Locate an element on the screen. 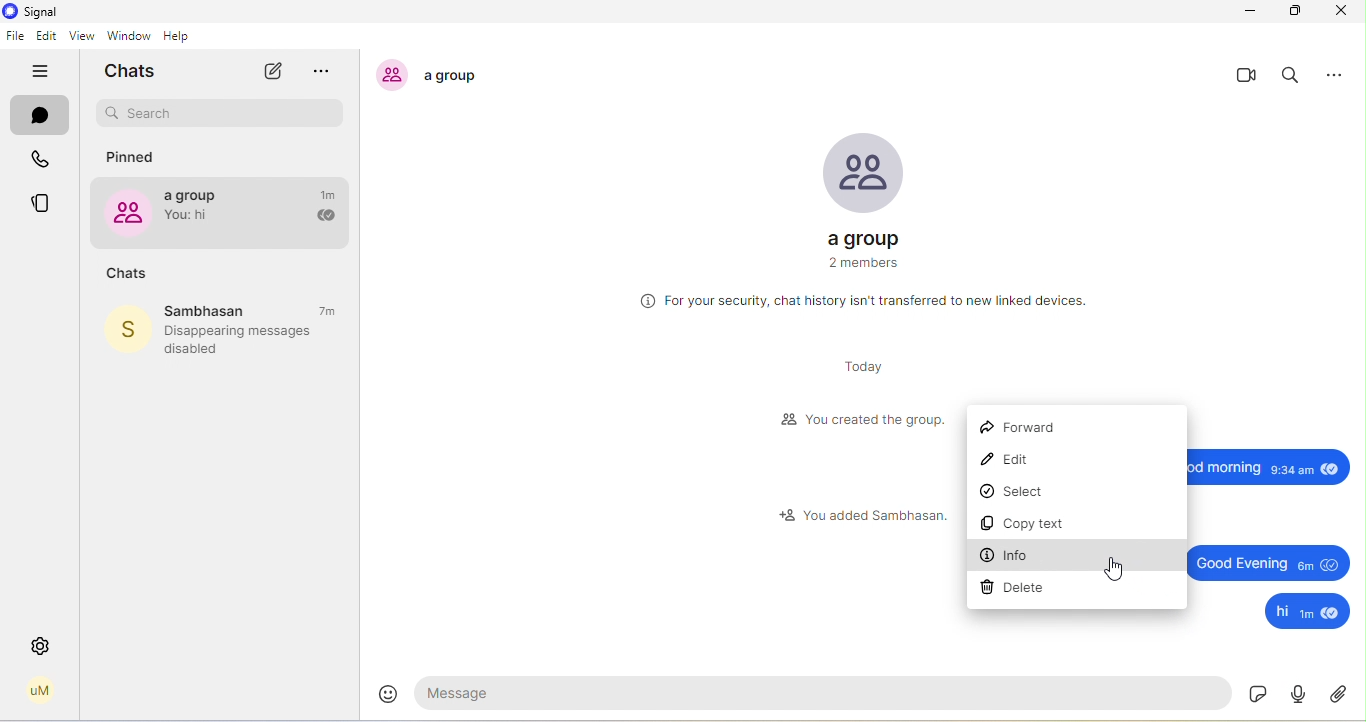 This screenshot has height=722, width=1366. good evening is located at coordinates (1268, 561).